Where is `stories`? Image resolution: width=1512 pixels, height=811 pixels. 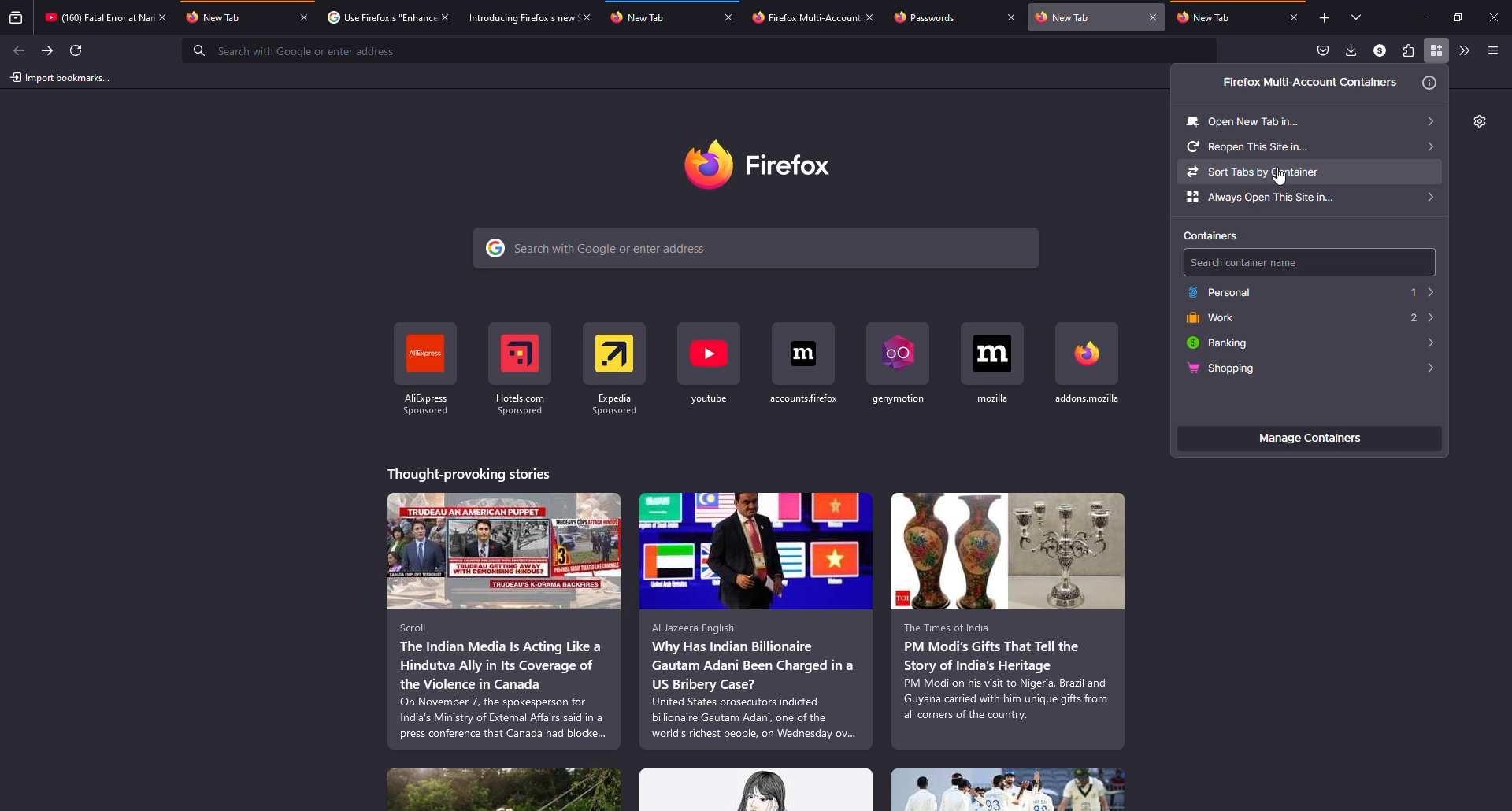 stories is located at coordinates (757, 620).